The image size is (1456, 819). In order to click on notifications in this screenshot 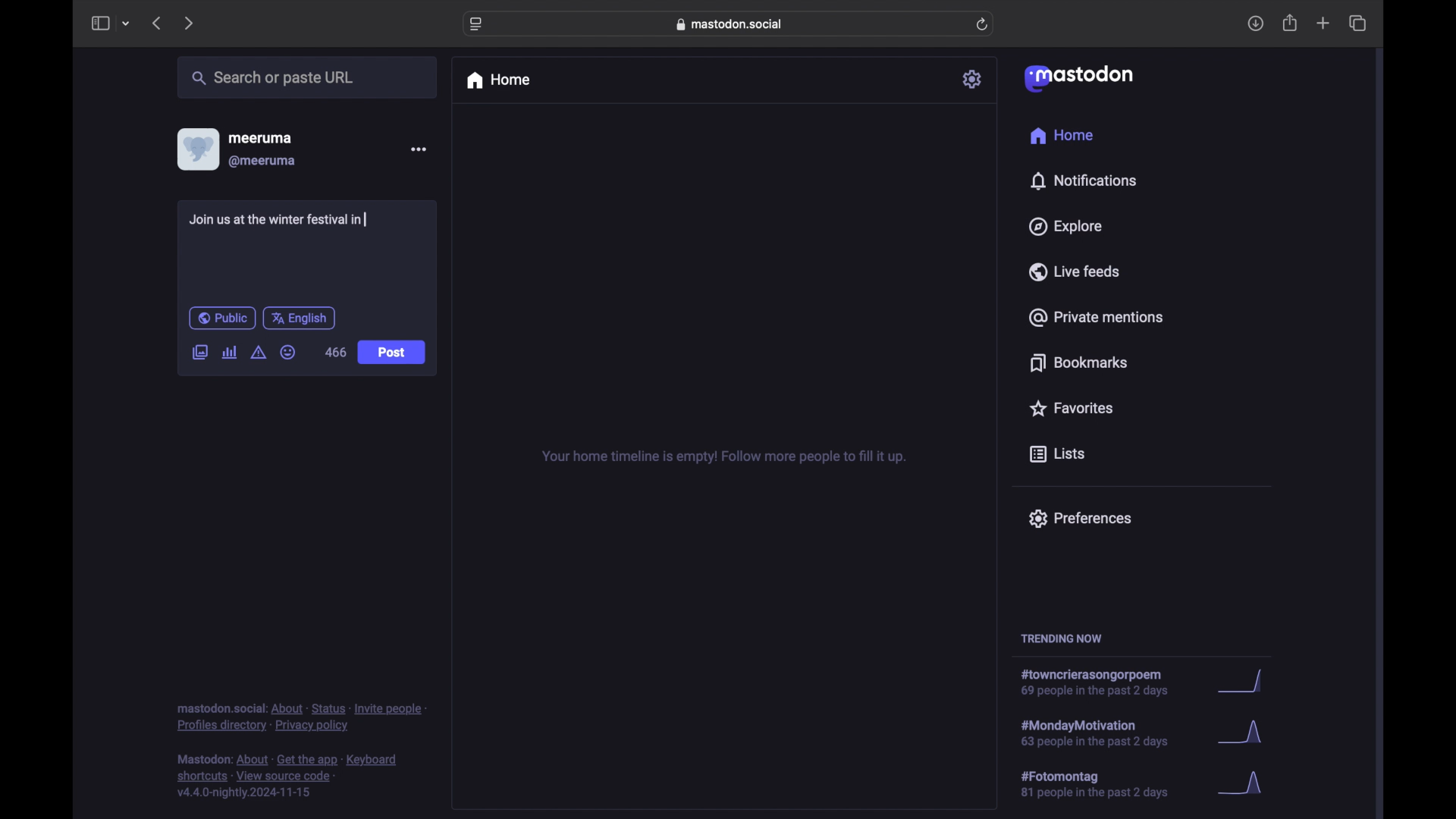, I will do `click(1083, 180)`.